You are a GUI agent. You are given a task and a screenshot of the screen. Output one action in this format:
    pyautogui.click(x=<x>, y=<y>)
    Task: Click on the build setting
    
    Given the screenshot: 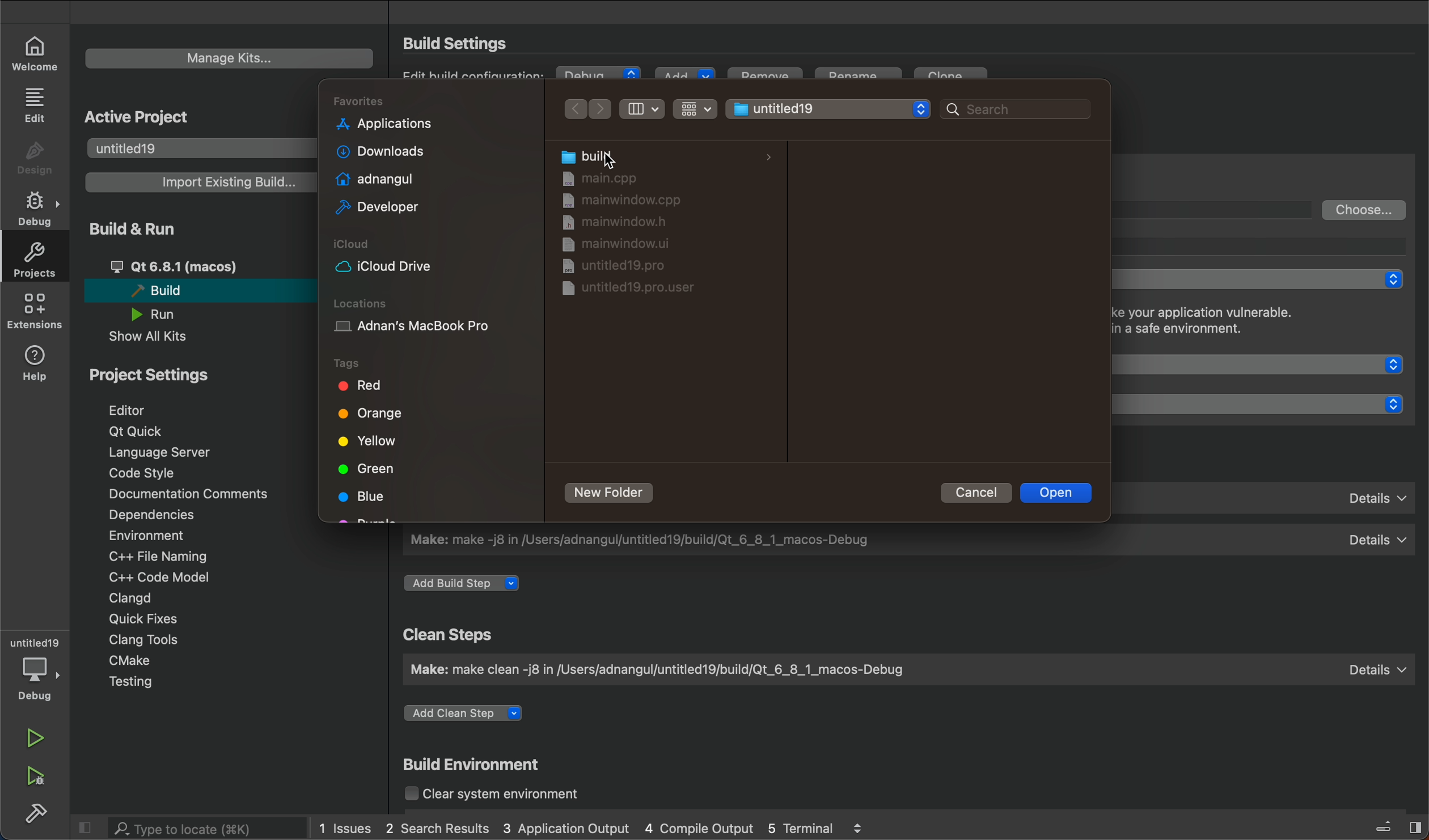 What is the action you would take?
    pyautogui.click(x=460, y=43)
    